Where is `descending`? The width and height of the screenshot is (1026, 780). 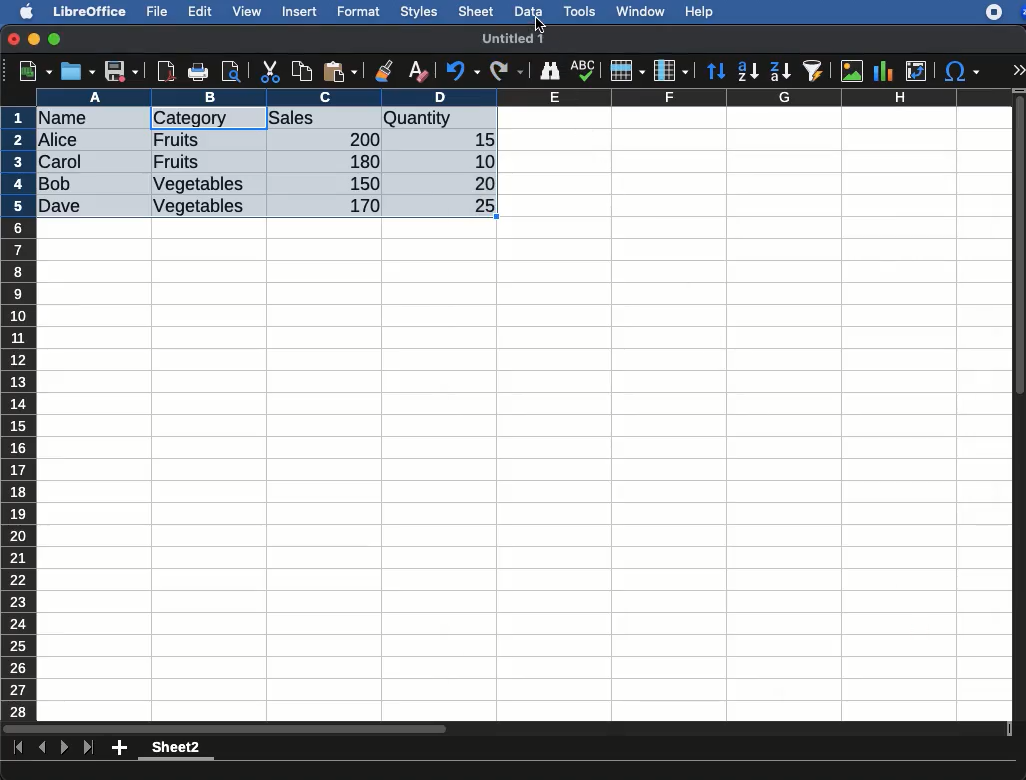
descending is located at coordinates (781, 72).